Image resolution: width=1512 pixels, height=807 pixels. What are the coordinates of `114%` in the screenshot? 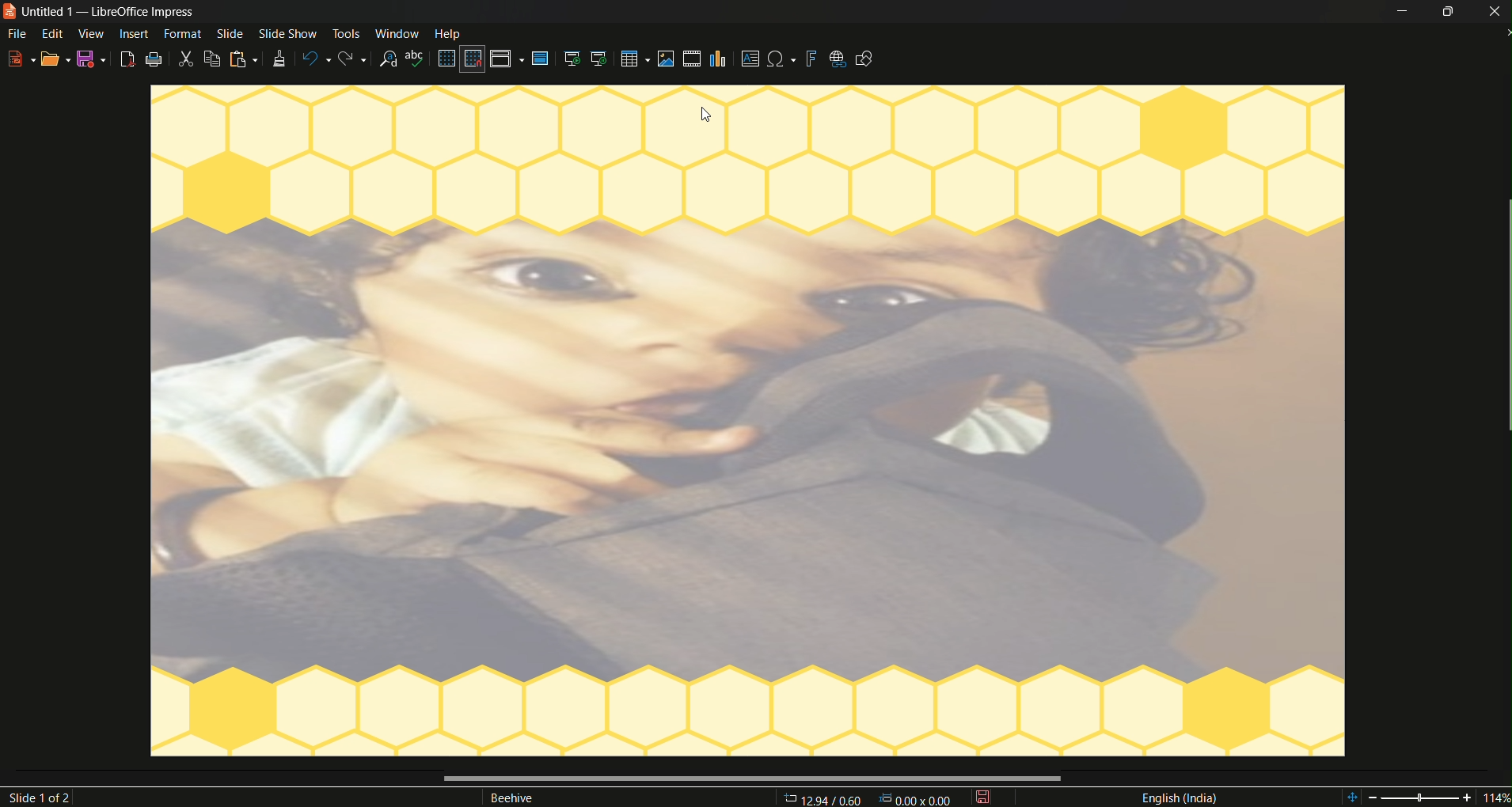 It's located at (1426, 795).